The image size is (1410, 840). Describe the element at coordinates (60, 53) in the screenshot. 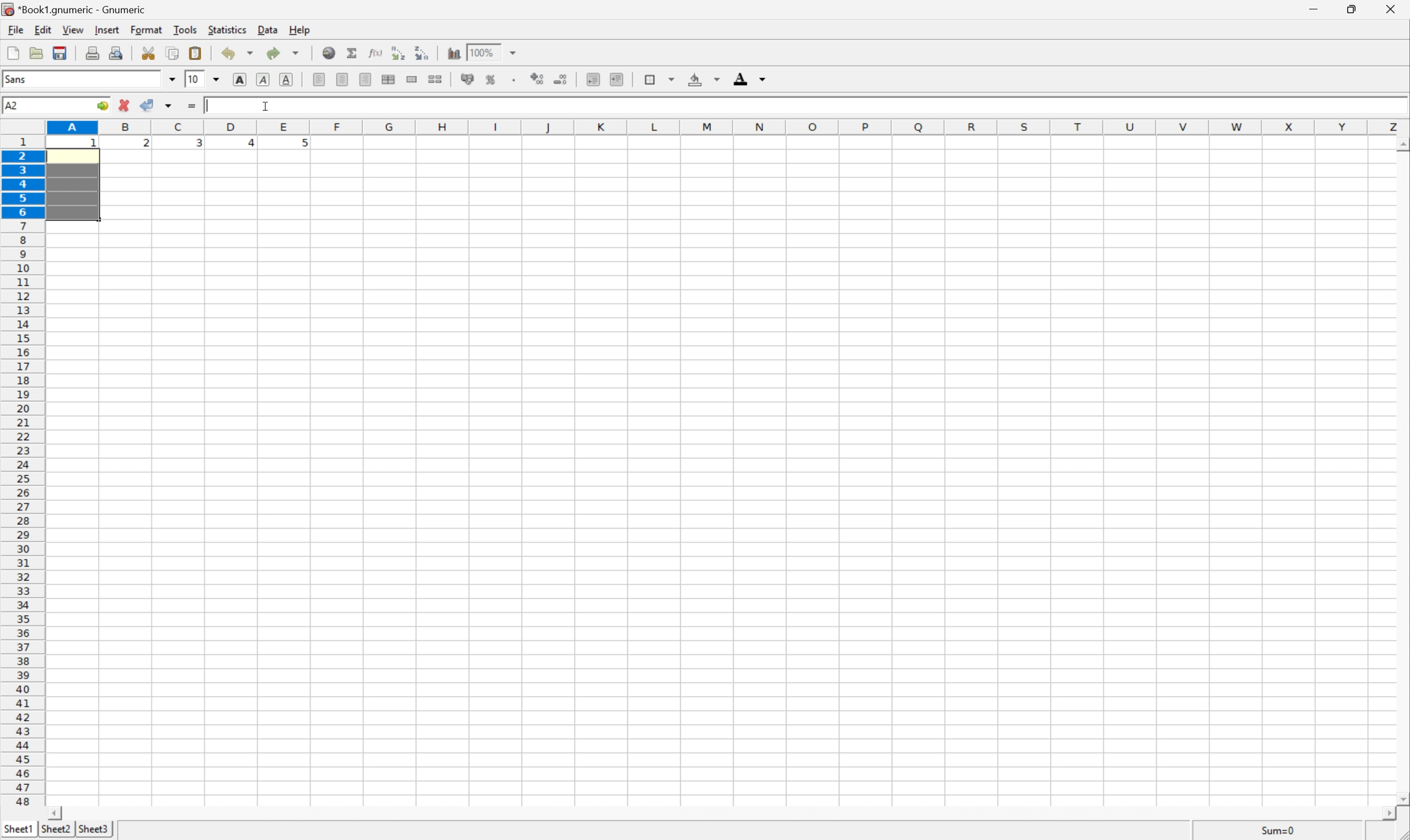

I see `save current workbook` at that location.